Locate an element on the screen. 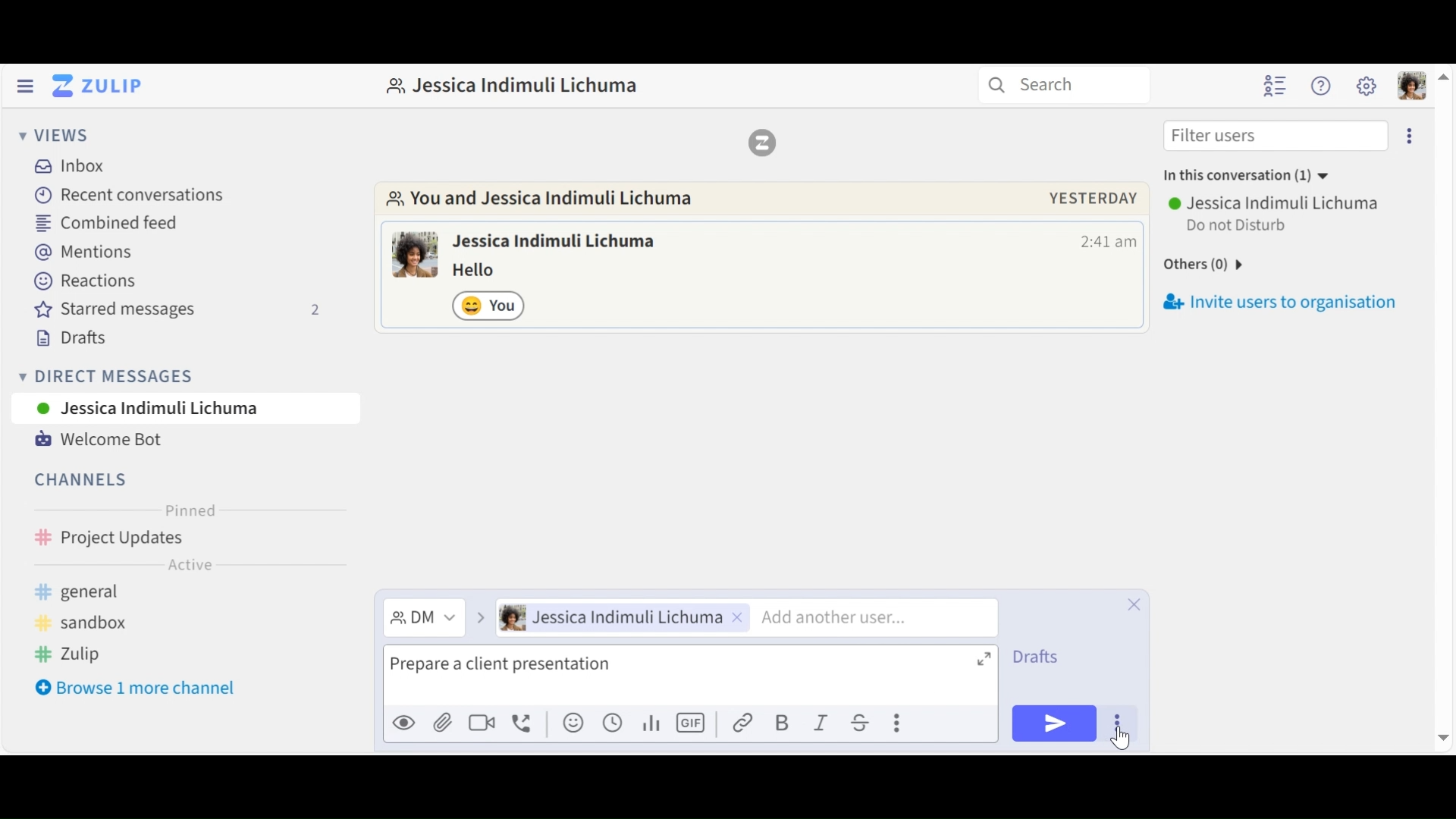 The height and width of the screenshot is (819, 1456). others(0) is located at coordinates (1229, 262).